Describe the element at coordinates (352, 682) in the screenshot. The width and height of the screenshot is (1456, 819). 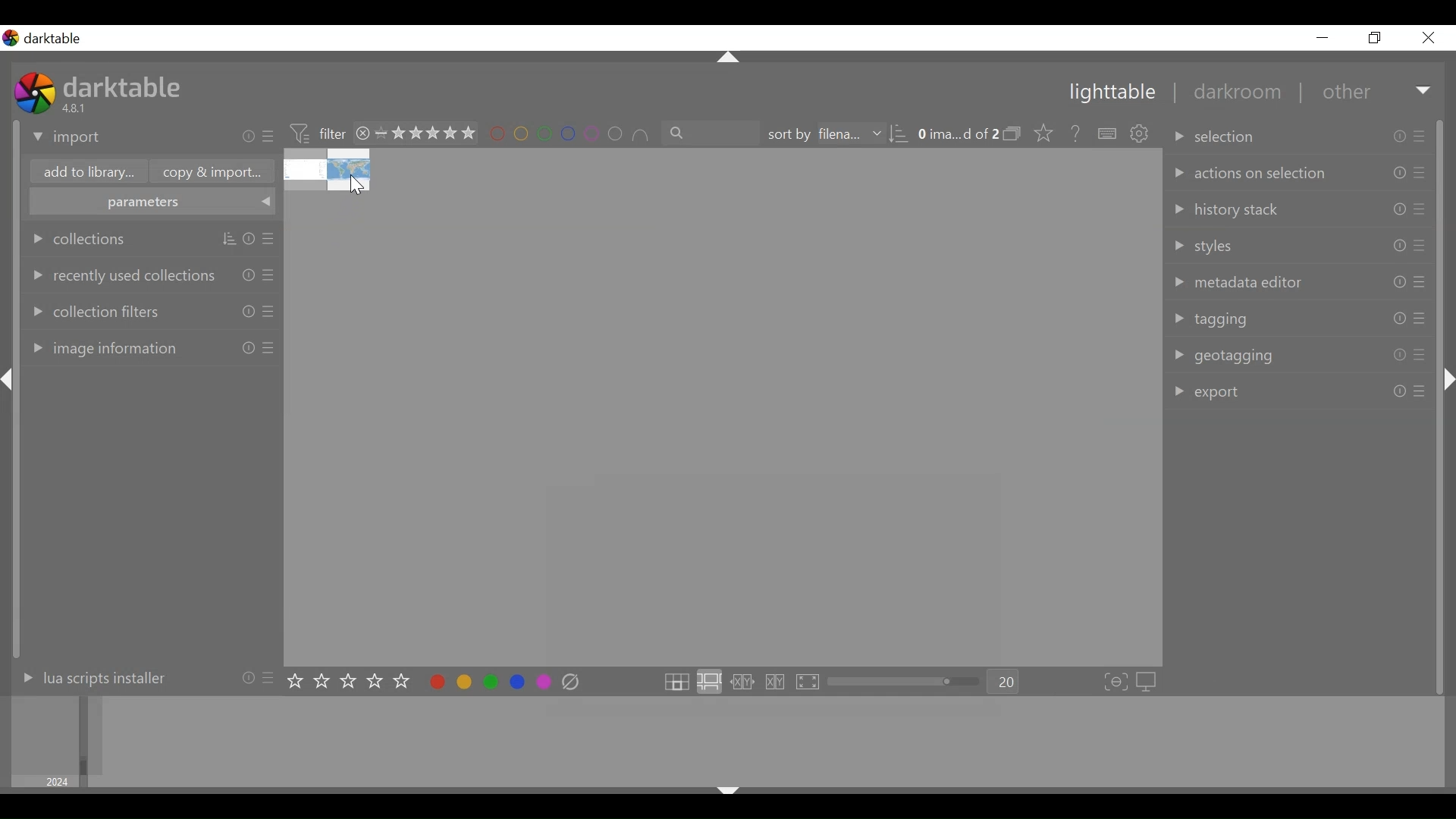
I see `set star rating on selected image` at that location.